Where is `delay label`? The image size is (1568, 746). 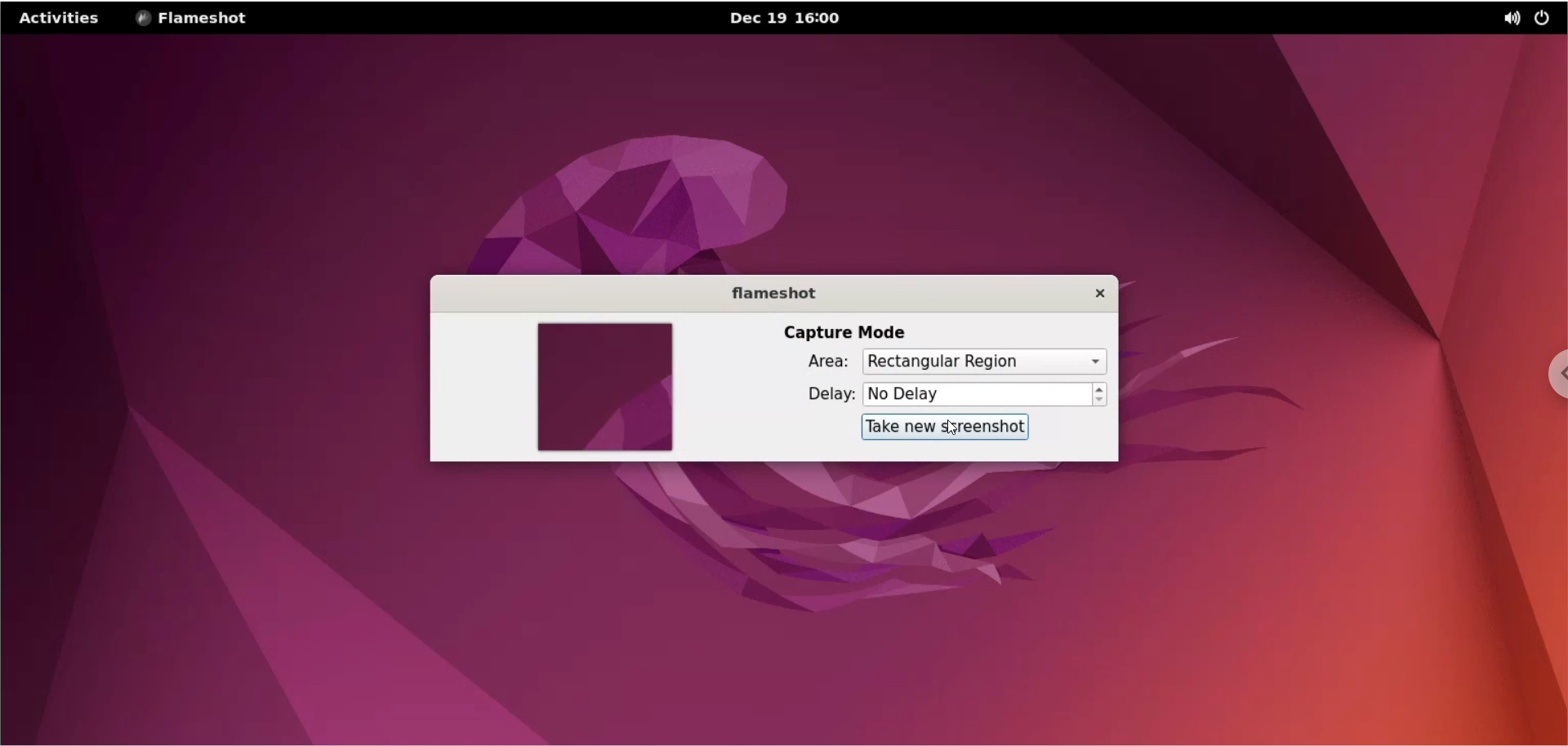
delay label is located at coordinates (822, 396).